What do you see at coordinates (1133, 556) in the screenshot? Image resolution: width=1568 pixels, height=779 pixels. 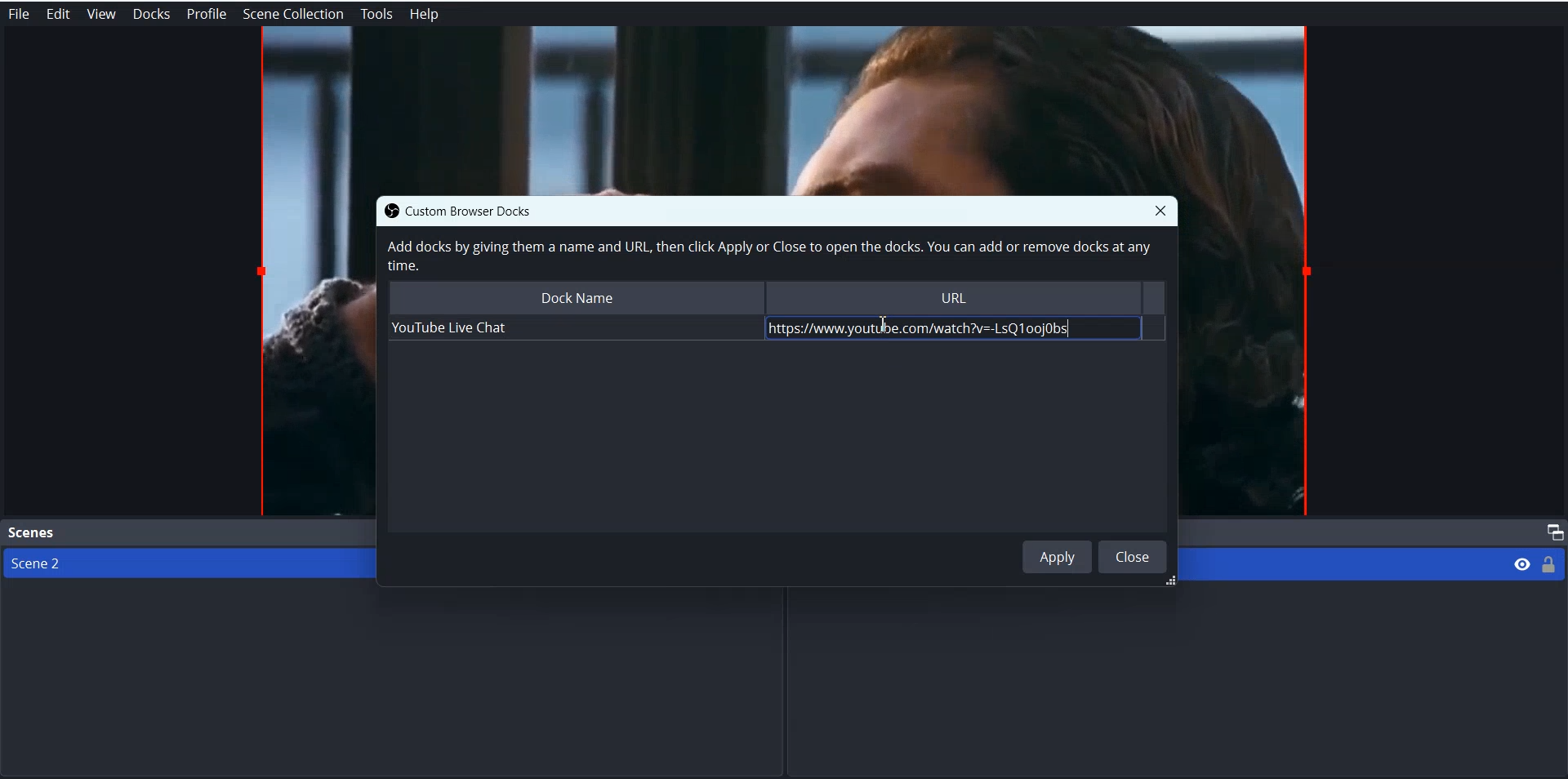 I see `Close` at bounding box center [1133, 556].